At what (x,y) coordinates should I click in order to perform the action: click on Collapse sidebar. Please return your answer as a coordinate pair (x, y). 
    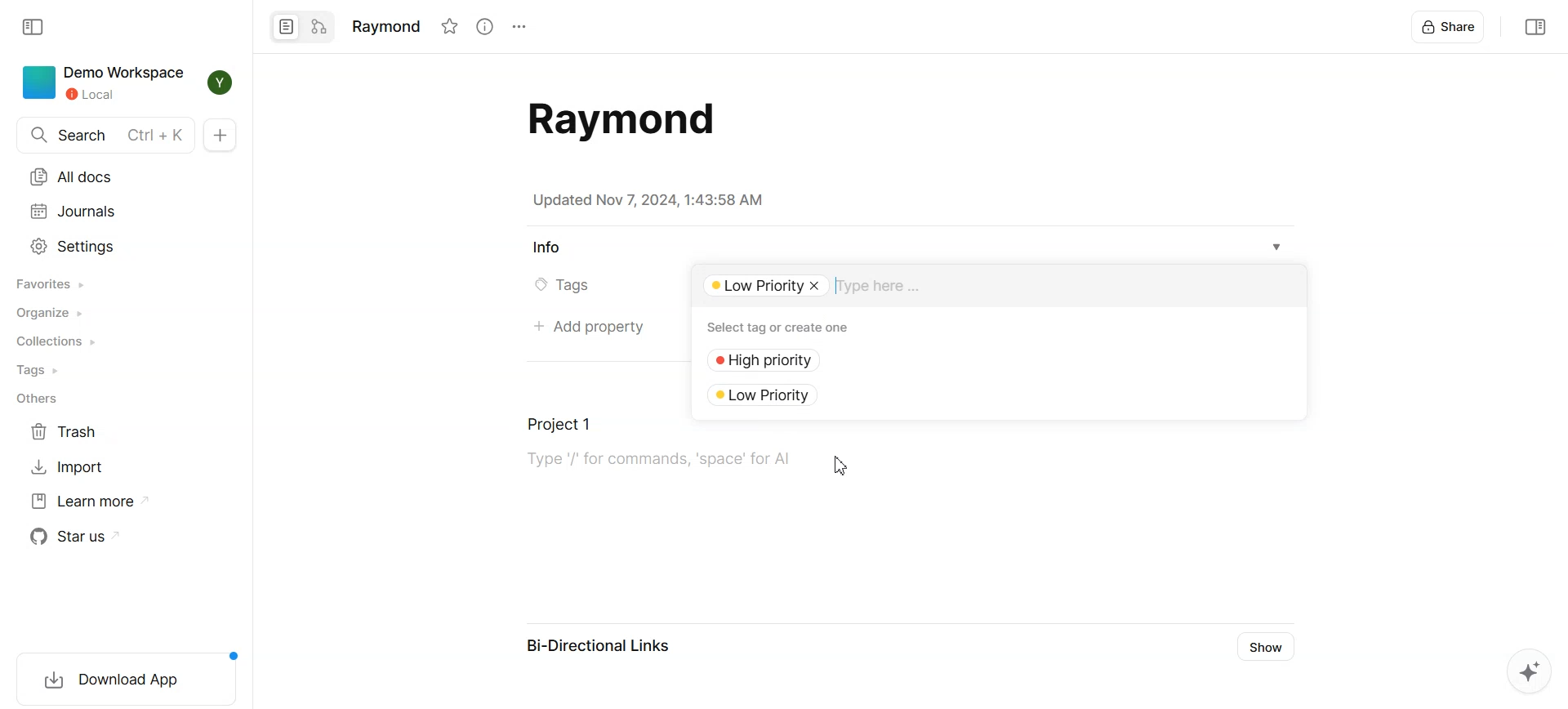
    Looking at the image, I should click on (1533, 26).